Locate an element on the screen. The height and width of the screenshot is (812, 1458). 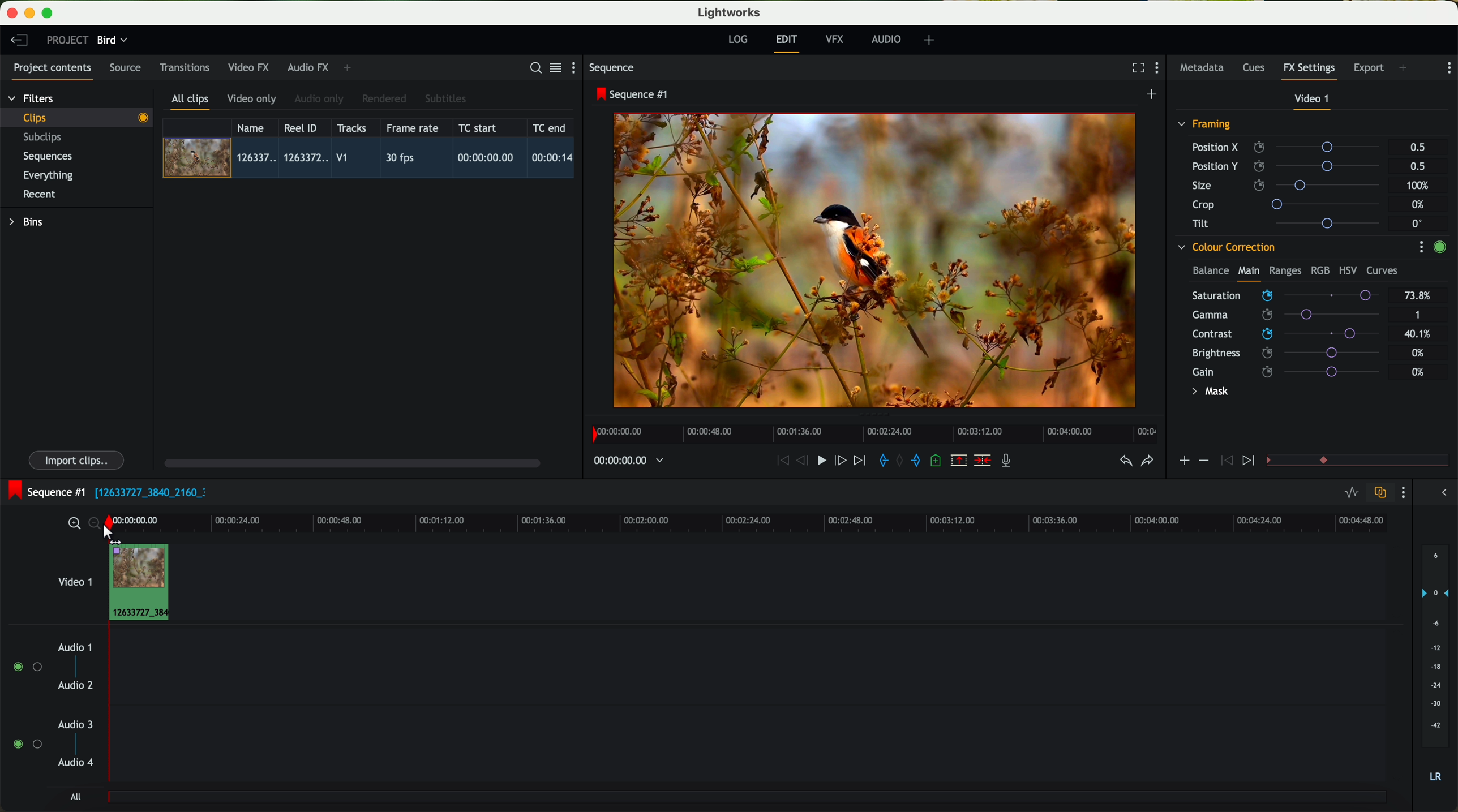
0% is located at coordinates (1418, 372).